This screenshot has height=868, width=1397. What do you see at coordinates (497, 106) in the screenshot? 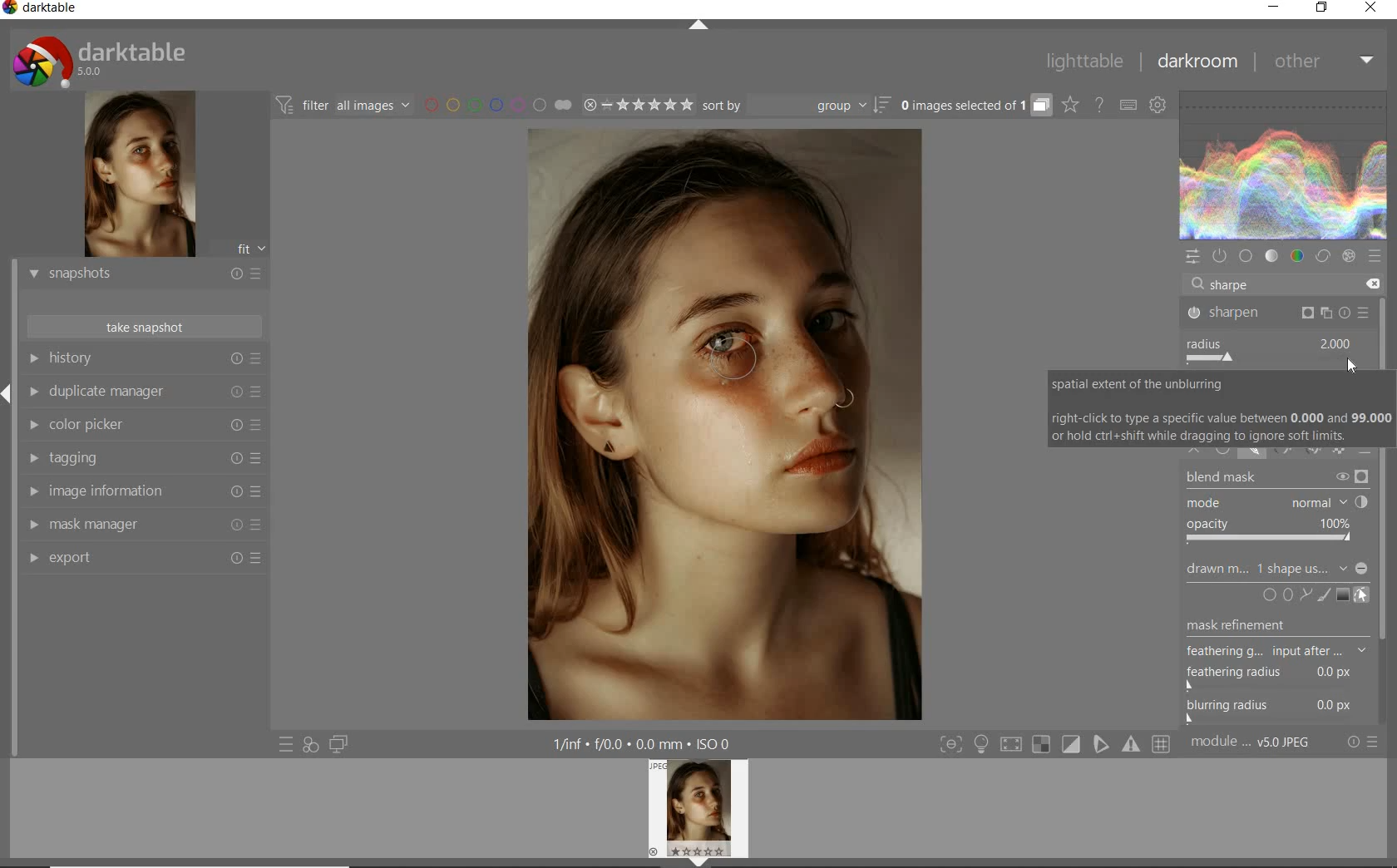
I see `filter by image color` at bounding box center [497, 106].